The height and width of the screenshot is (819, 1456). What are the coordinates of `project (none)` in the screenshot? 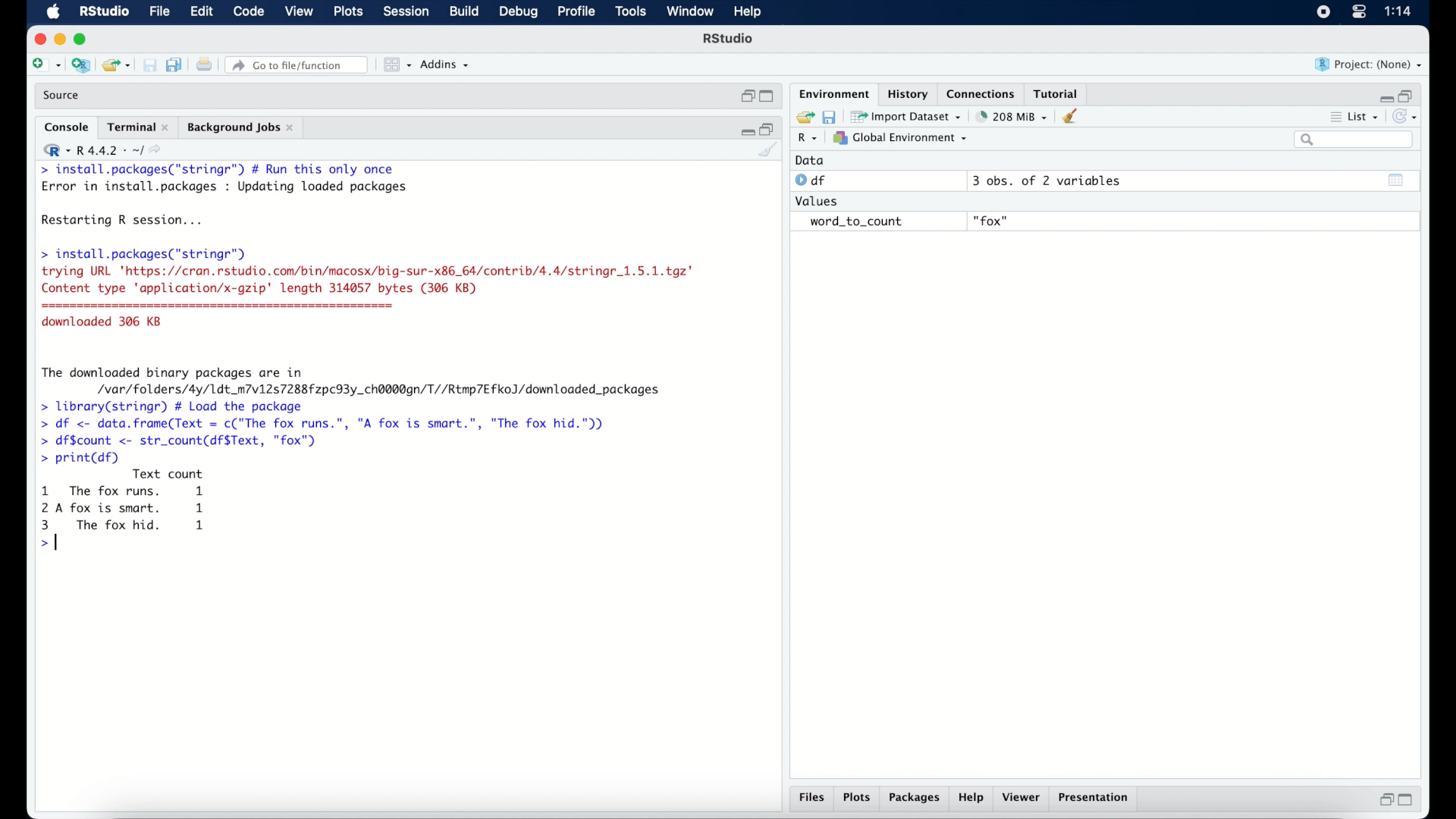 It's located at (1369, 64).